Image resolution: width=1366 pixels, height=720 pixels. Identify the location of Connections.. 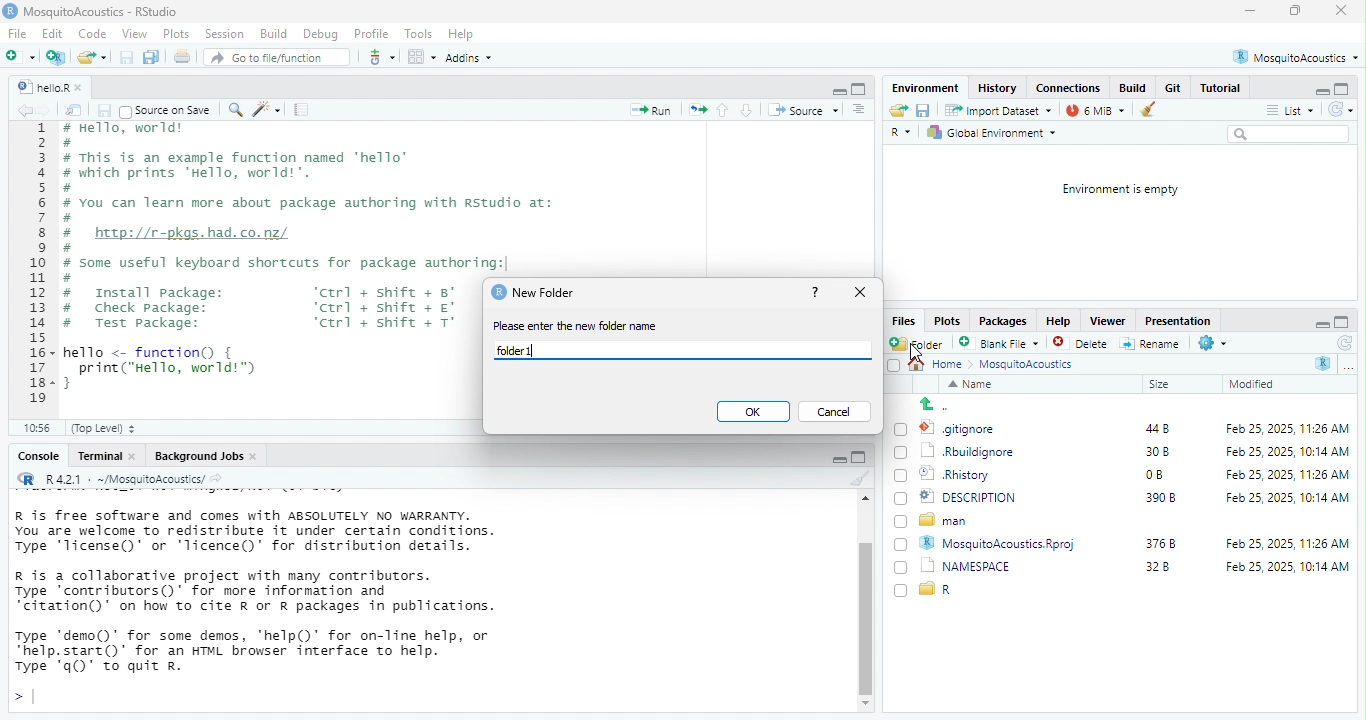
(1070, 87).